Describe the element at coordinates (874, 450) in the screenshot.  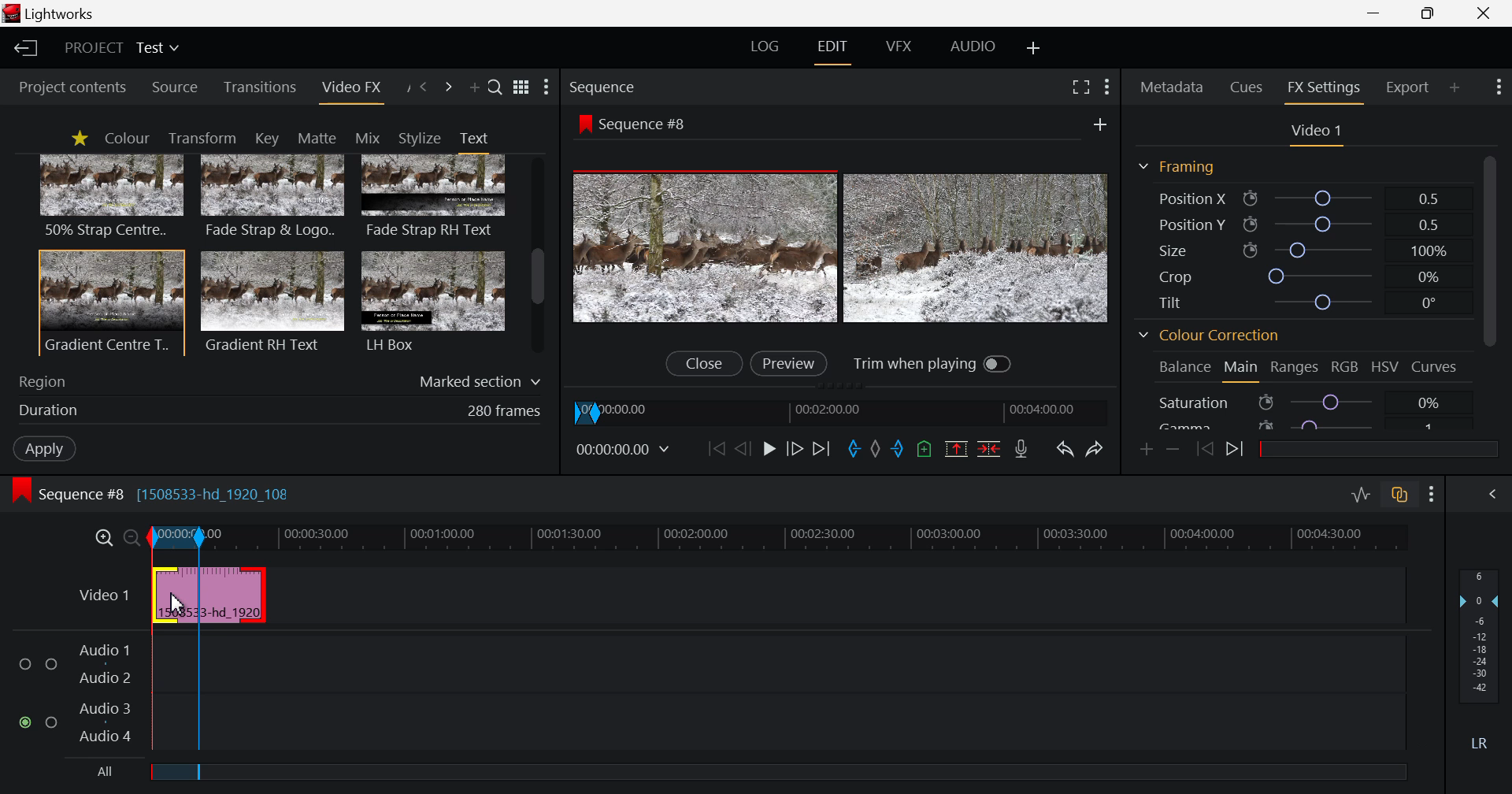
I see `Remove all marks` at that location.